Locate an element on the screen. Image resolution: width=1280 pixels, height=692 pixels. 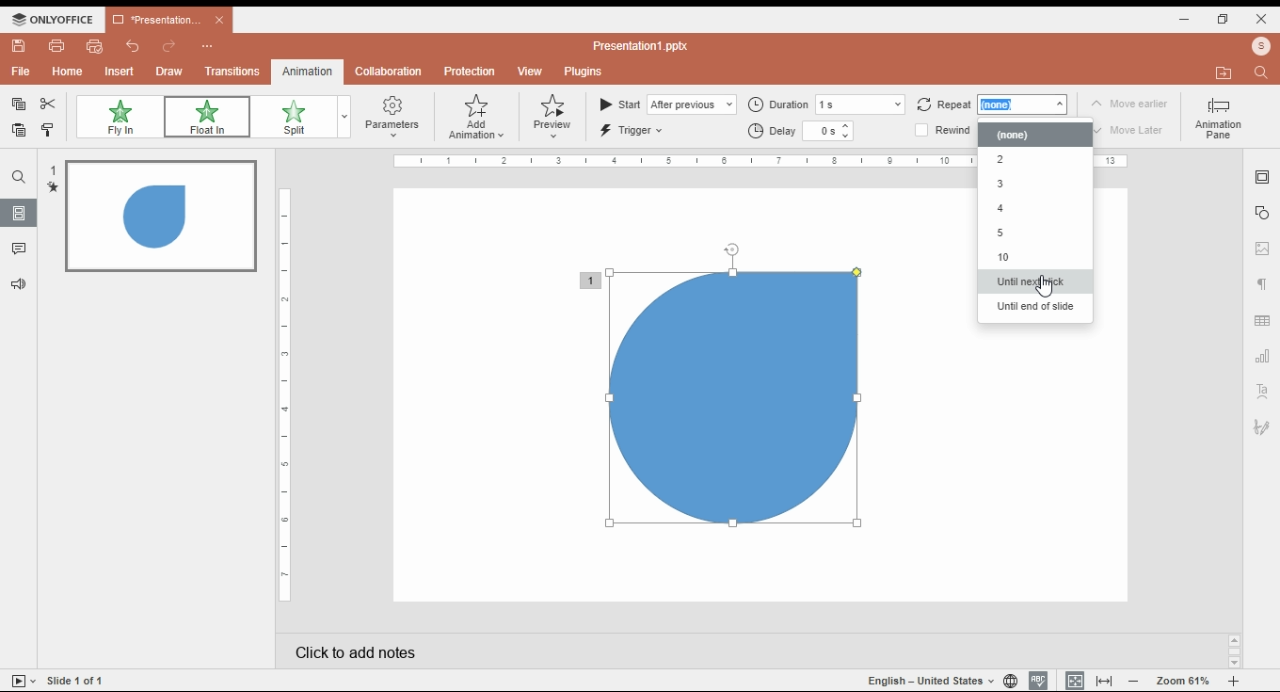
find is located at coordinates (1263, 73).